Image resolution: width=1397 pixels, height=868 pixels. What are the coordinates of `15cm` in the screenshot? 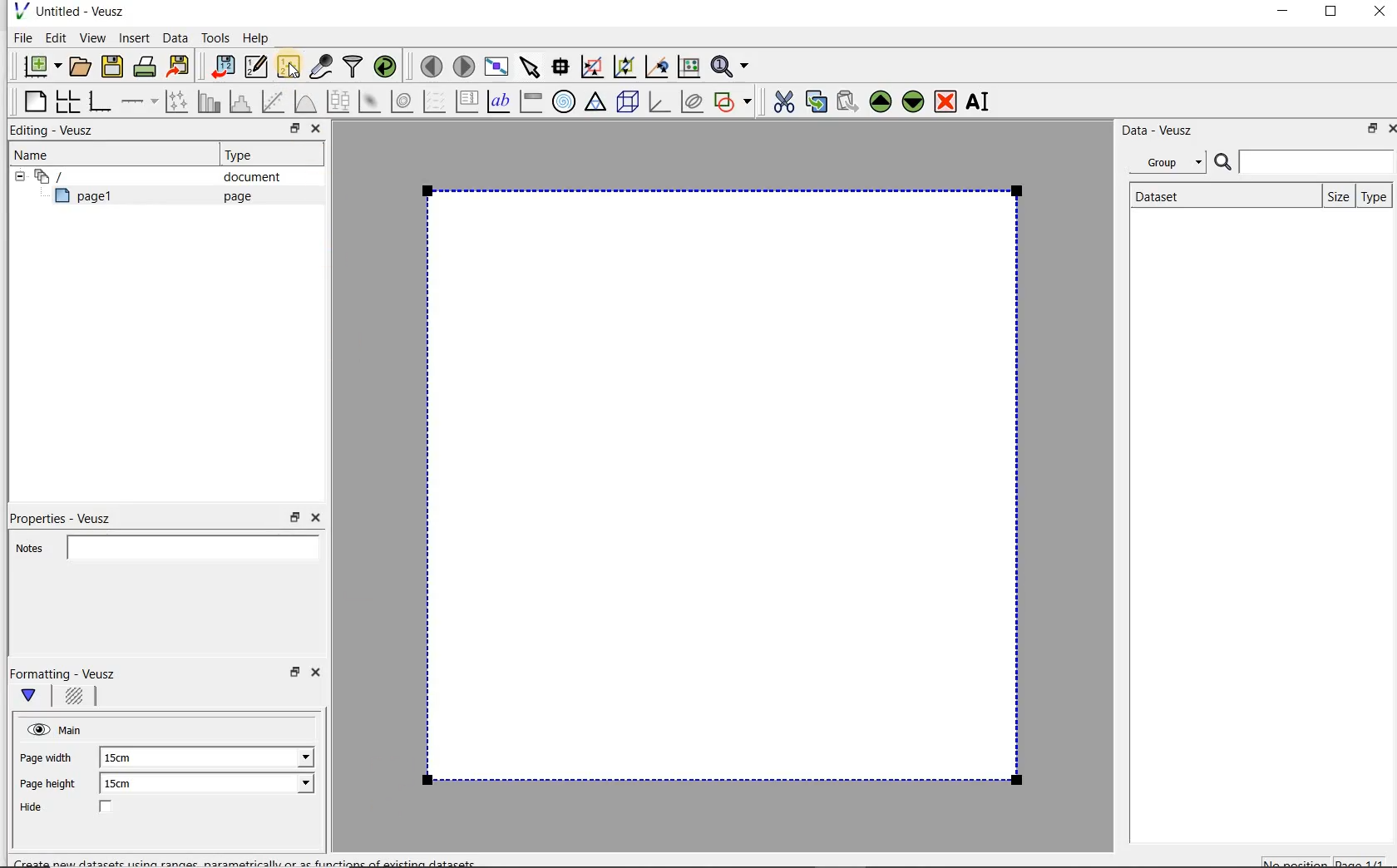 It's located at (126, 758).